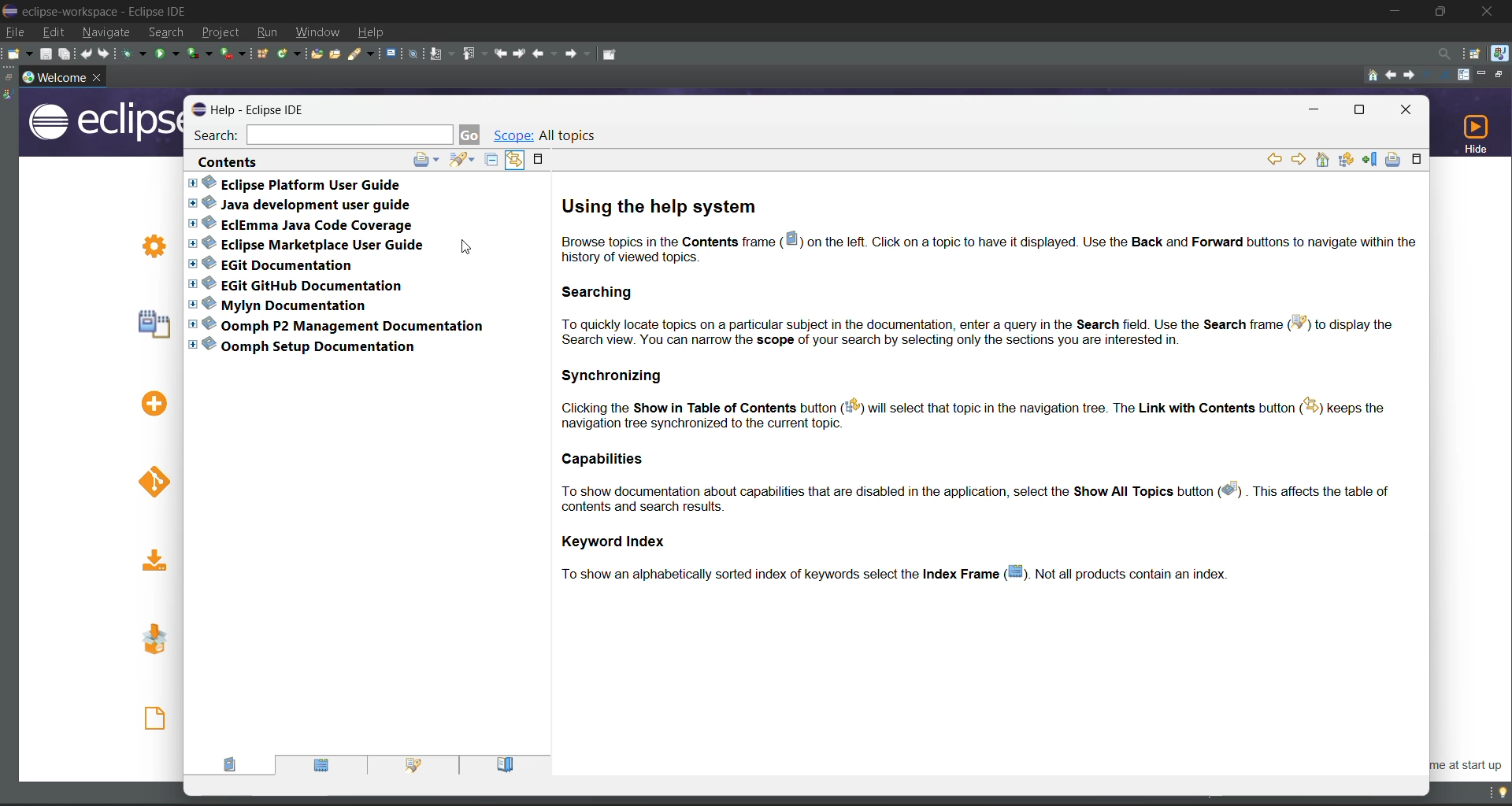 The image size is (1512, 806). Describe the element at coordinates (1477, 54) in the screenshot. I see `open perspective` at that location.